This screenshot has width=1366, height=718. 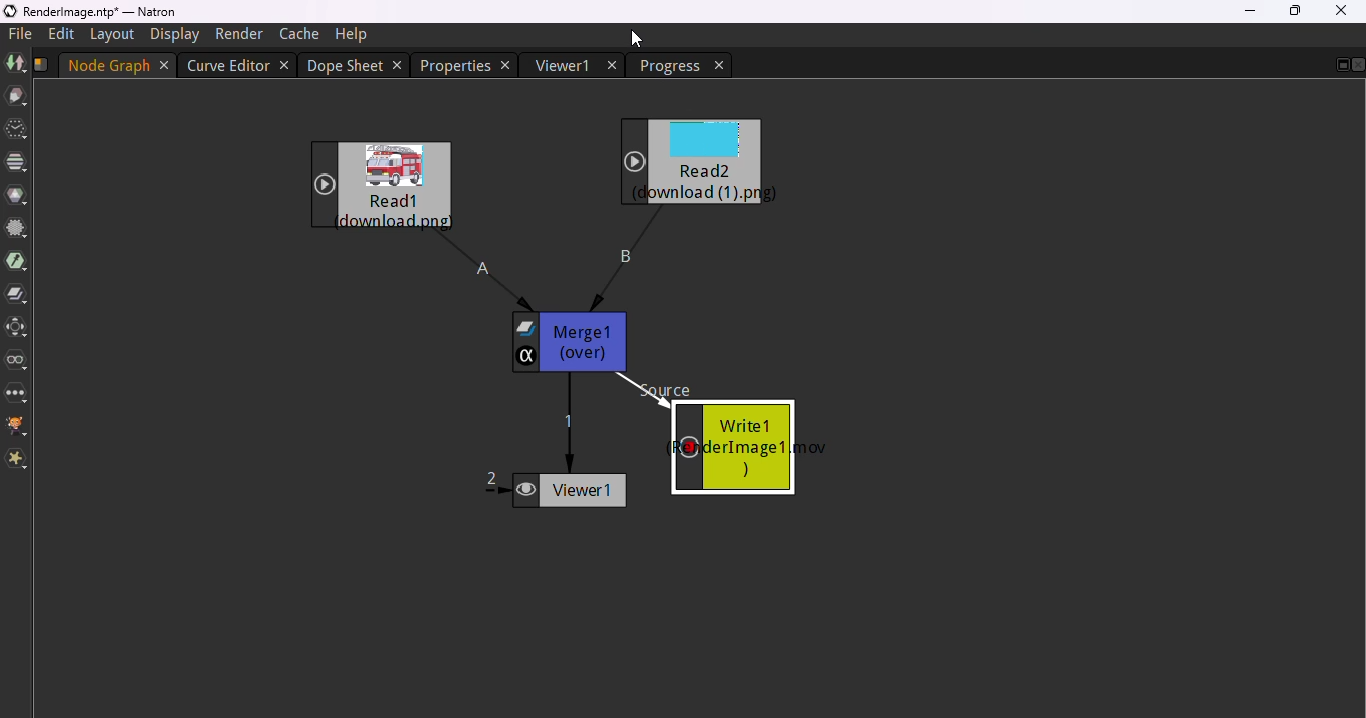 I want to click on extra, so click(x=17, y=459).